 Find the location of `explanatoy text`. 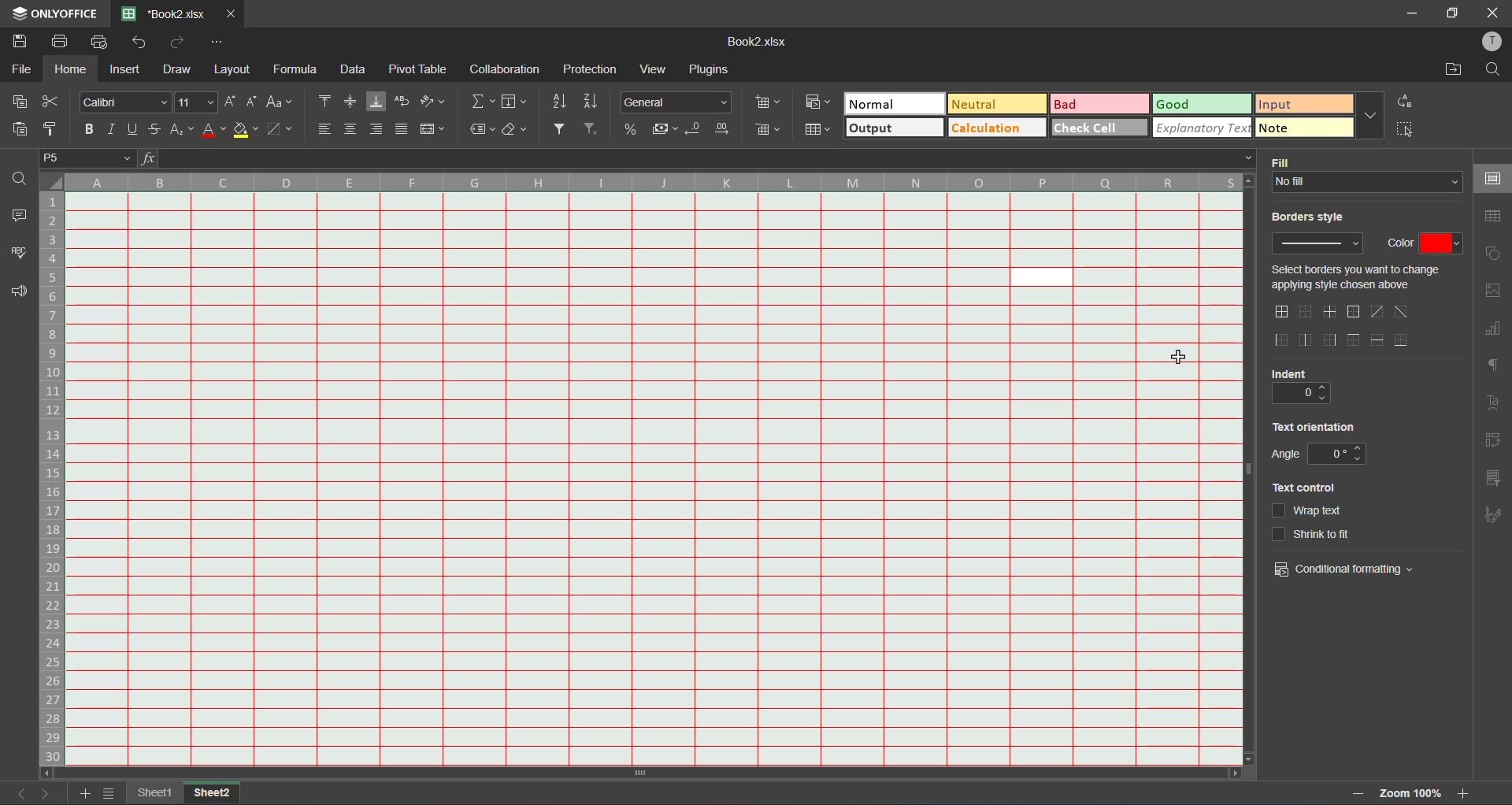

explanatoy text is located at coordinates (1199, 127).